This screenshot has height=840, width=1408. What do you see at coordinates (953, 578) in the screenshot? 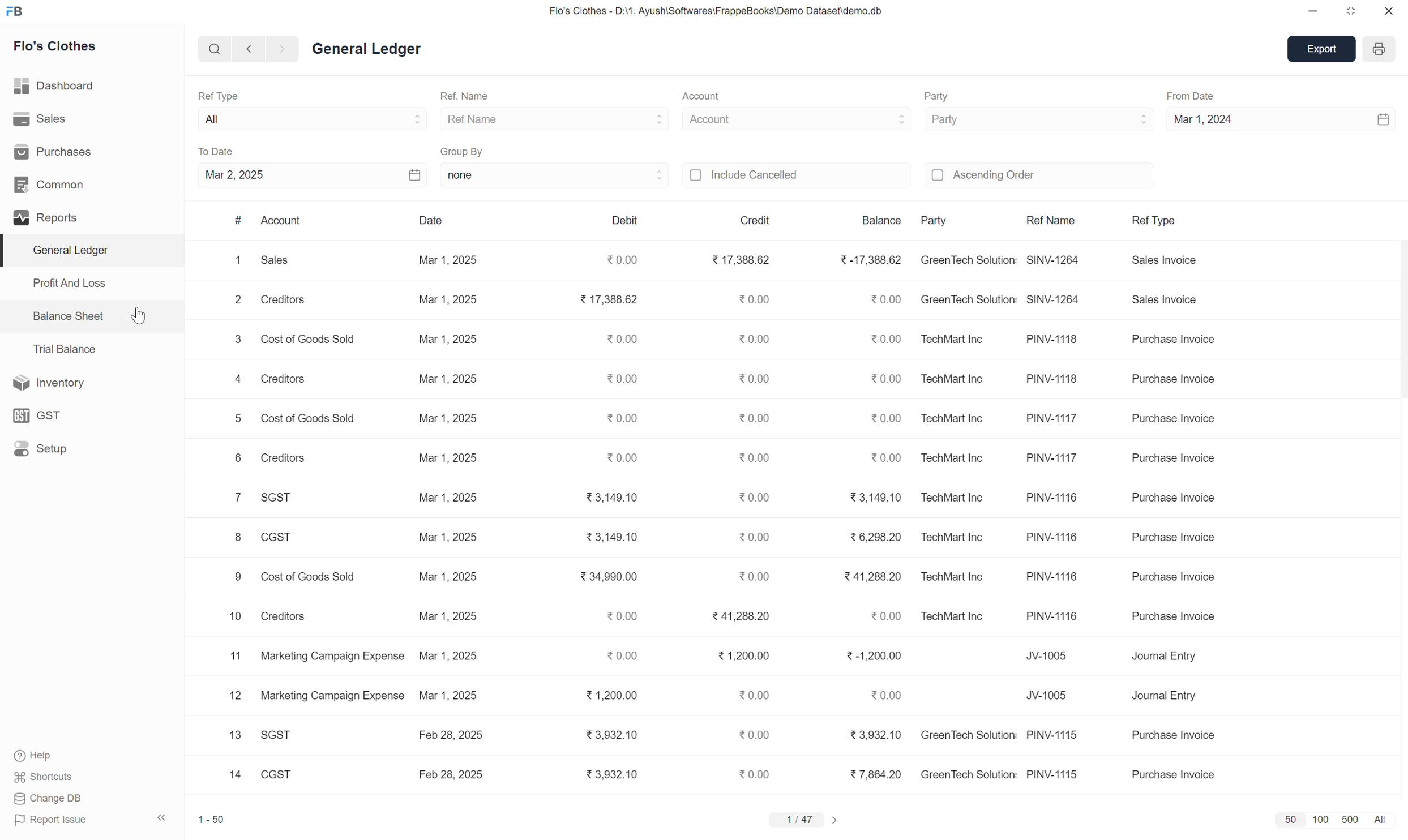
I see `TechMart Inc` at bounding box center [953, 578].